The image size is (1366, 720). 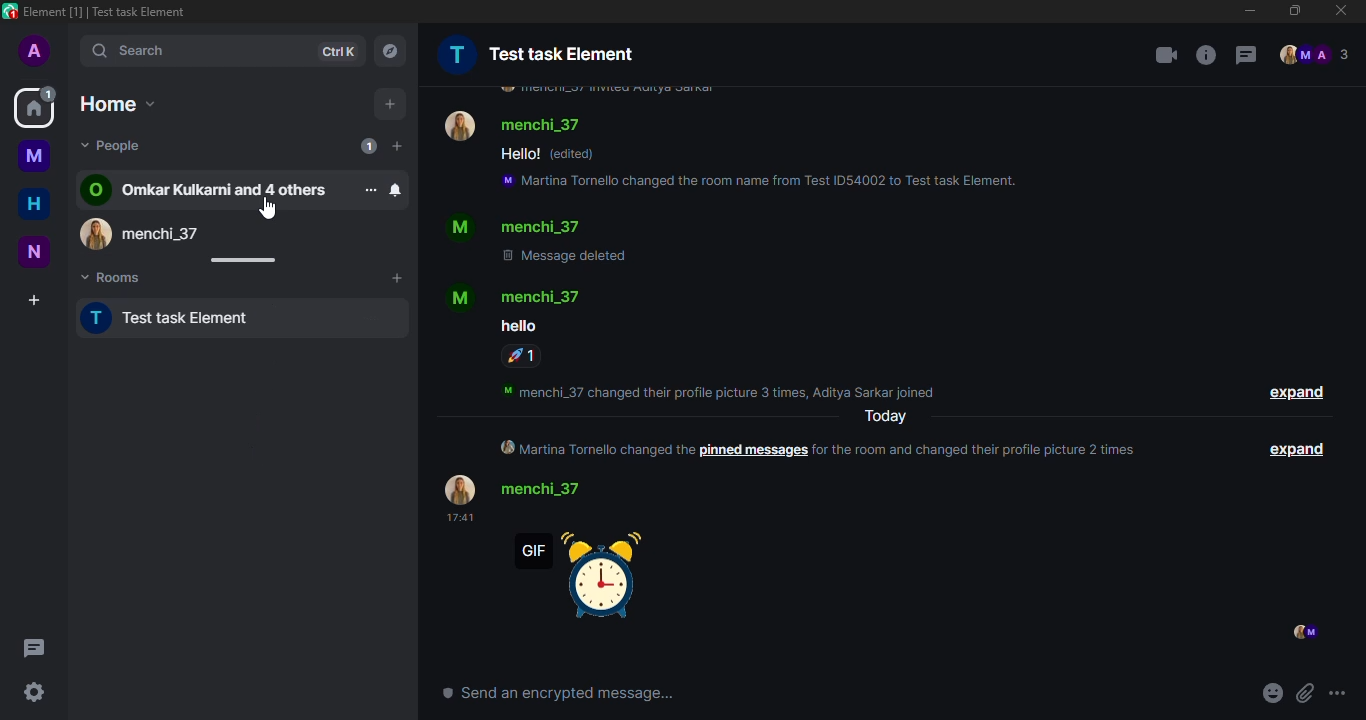 I want to click on expand, so click(x=1300, y=451).